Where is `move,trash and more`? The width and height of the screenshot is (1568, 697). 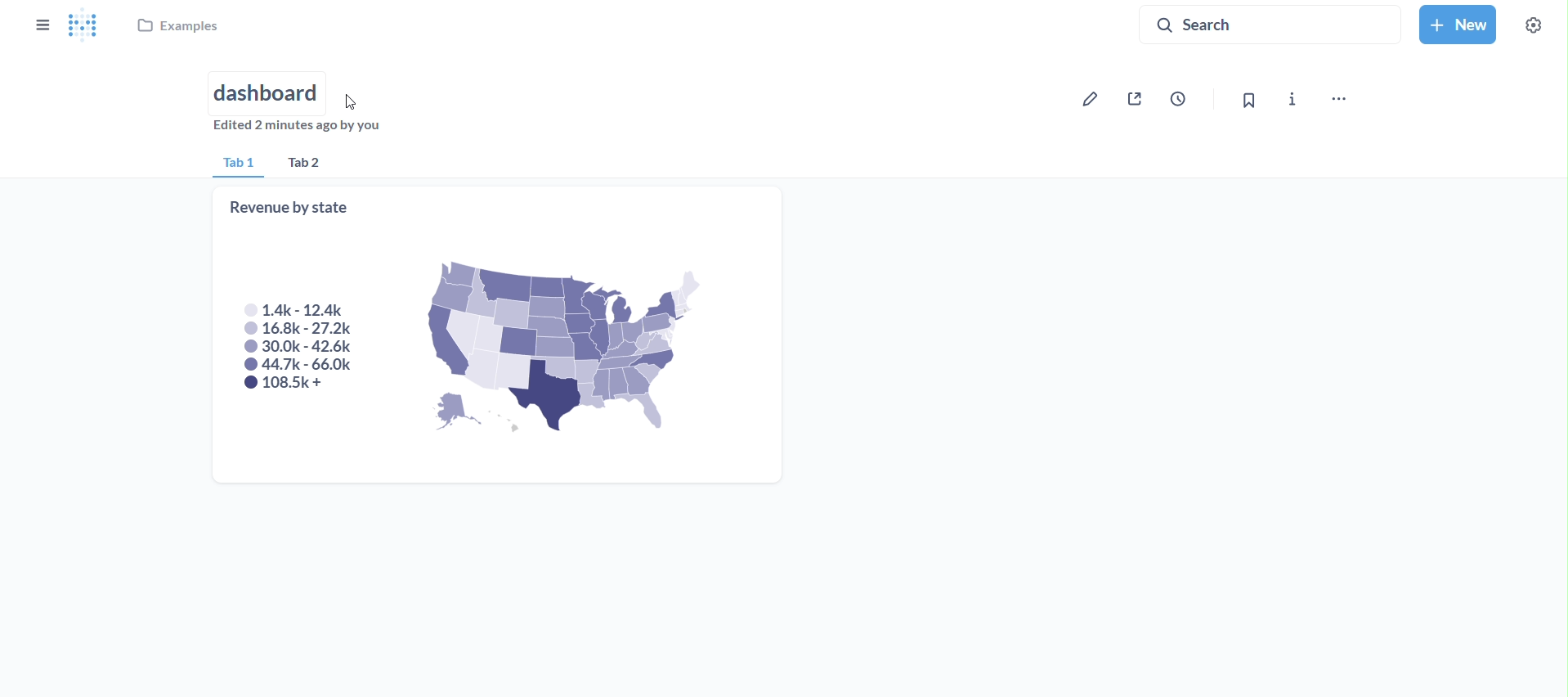
move,trash and more is located at coordinates (1338, 101).